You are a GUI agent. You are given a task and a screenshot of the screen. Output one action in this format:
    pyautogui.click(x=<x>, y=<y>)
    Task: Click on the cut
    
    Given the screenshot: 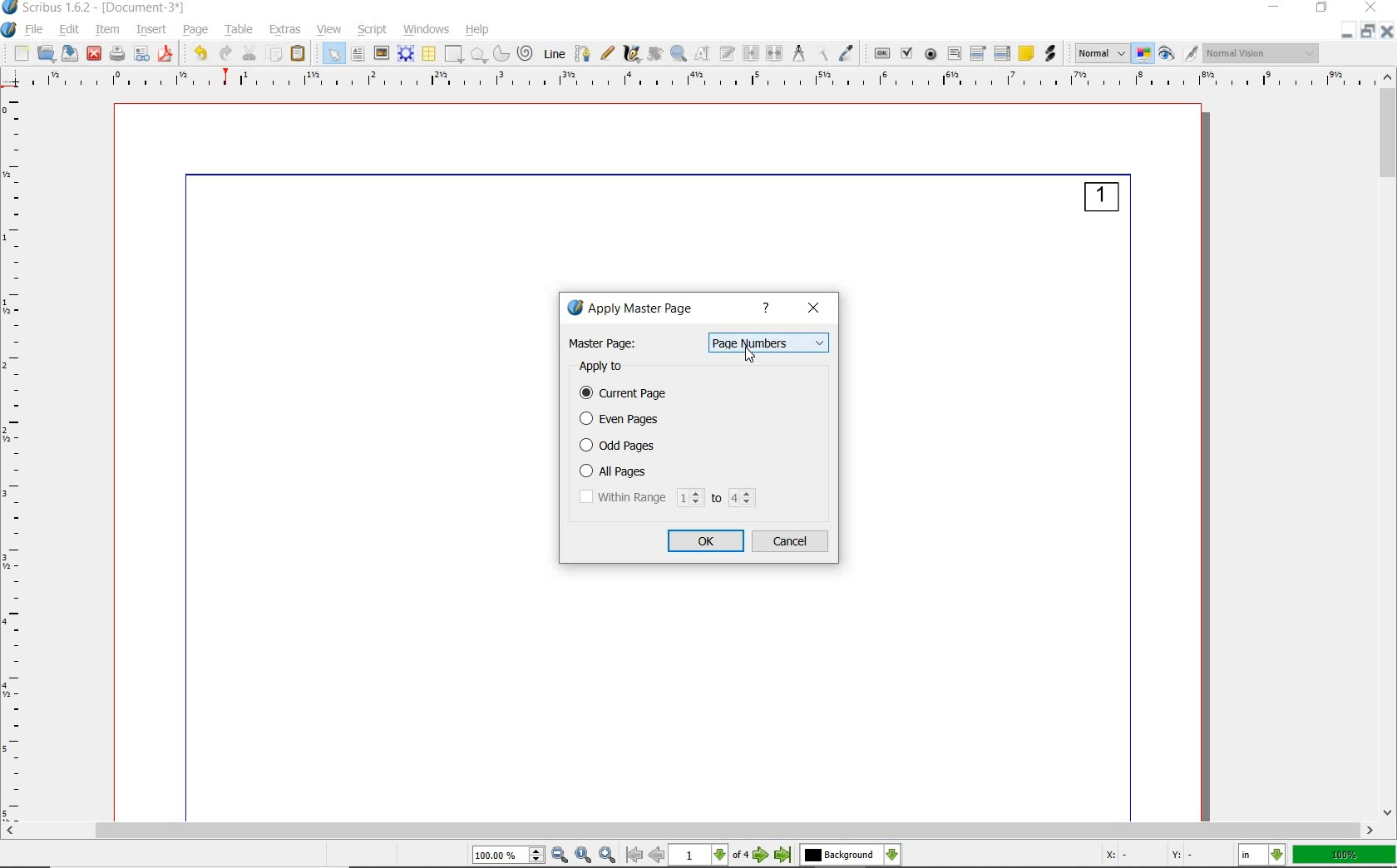 What is the action you would take?
    pyautogui.click(x=249, y=53)
    